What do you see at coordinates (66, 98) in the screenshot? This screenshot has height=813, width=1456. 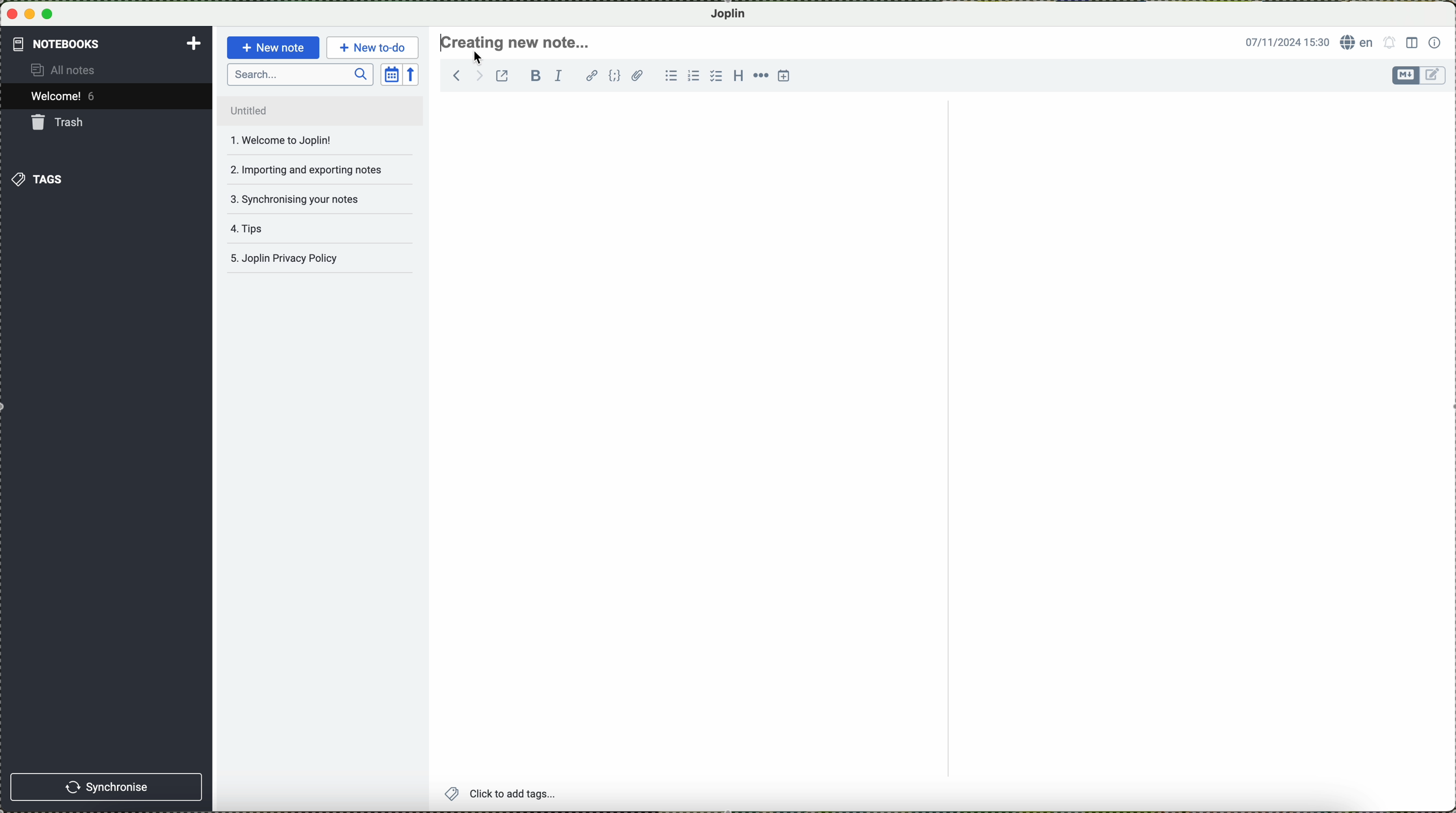 I see `welcome 5` at bounding box center [66, 98].